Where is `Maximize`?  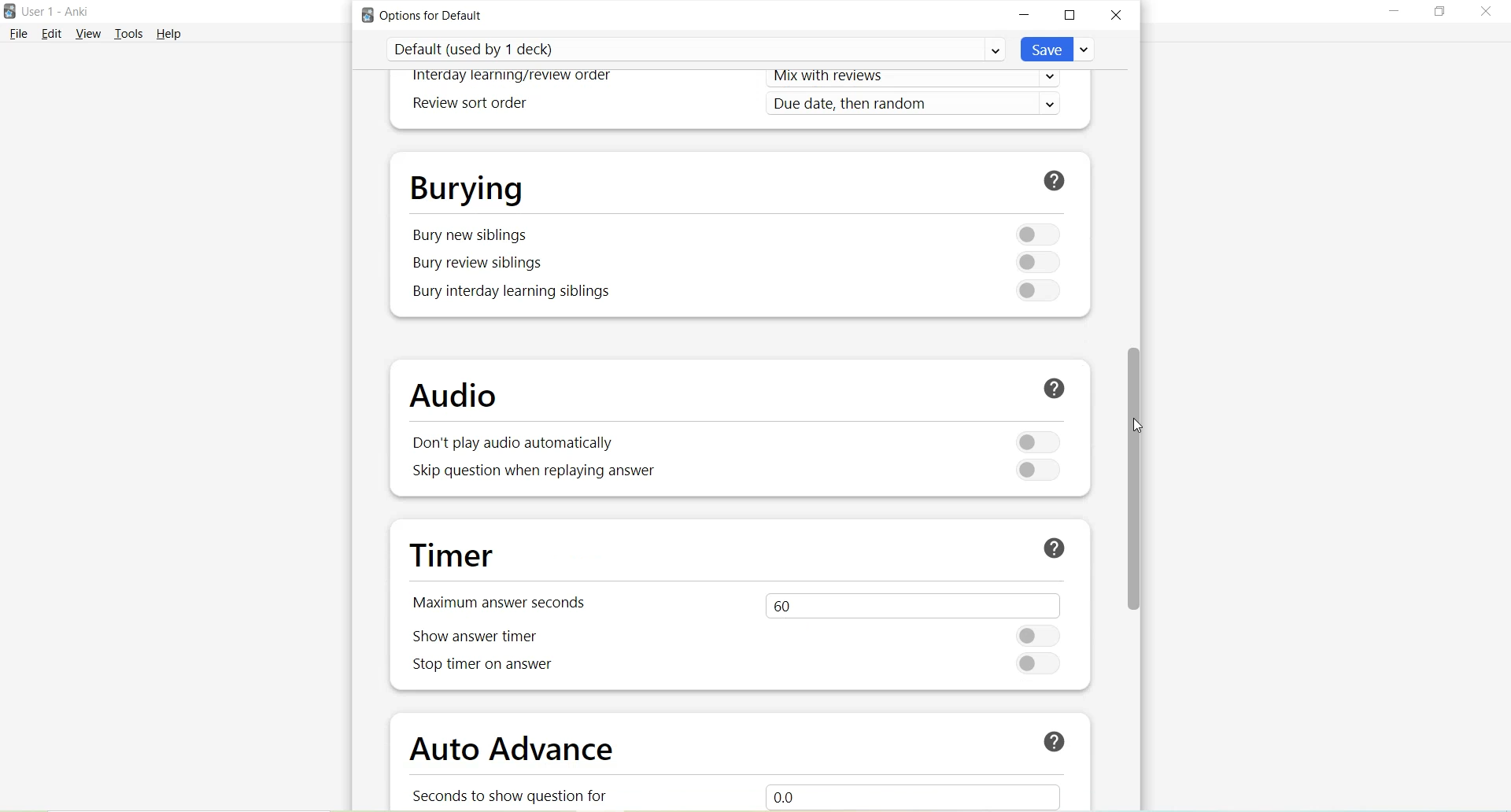 Maximize is located at coordinates (1070, 17).